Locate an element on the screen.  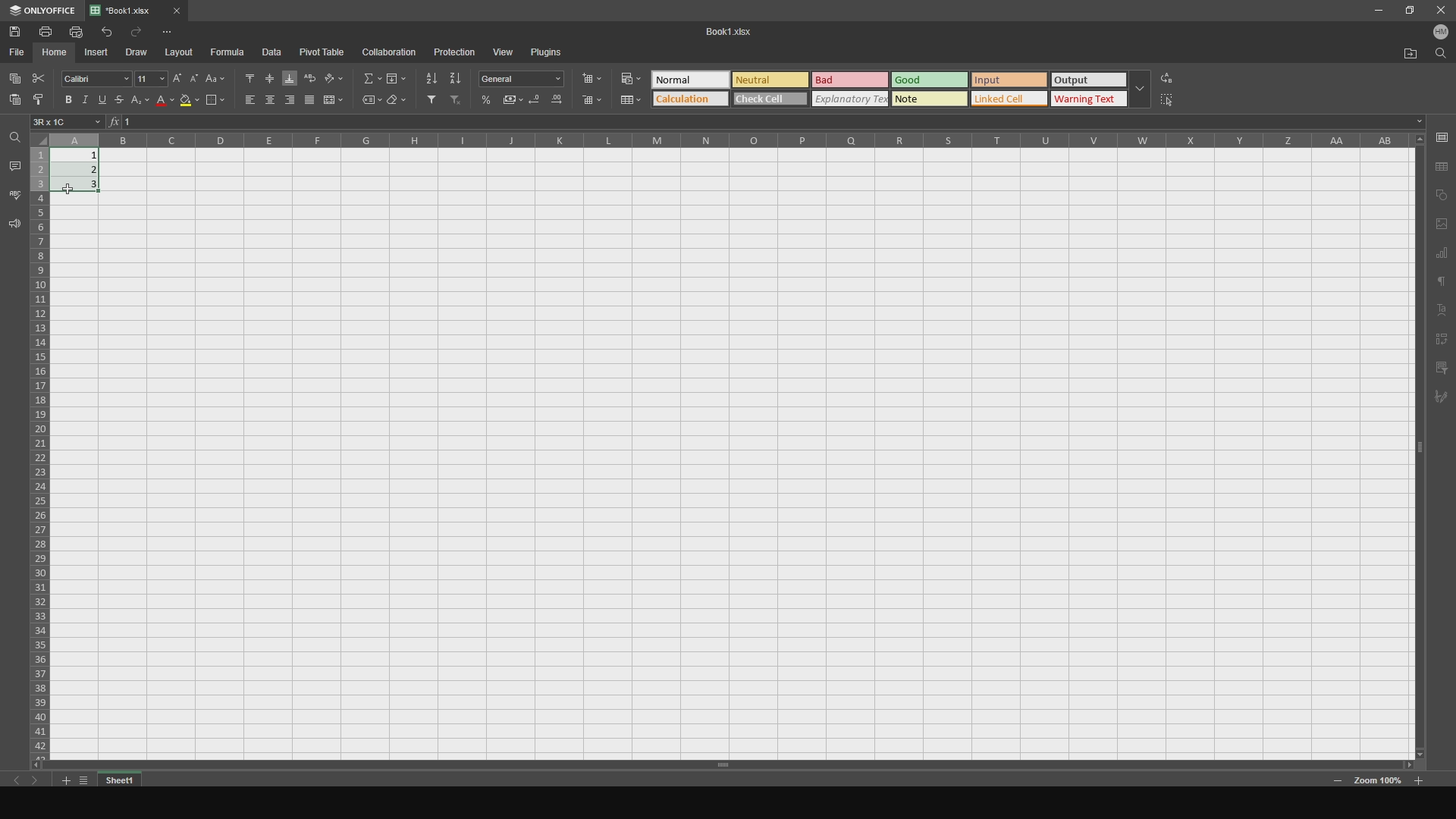
zoom in is located at coordinates (1338, 782).